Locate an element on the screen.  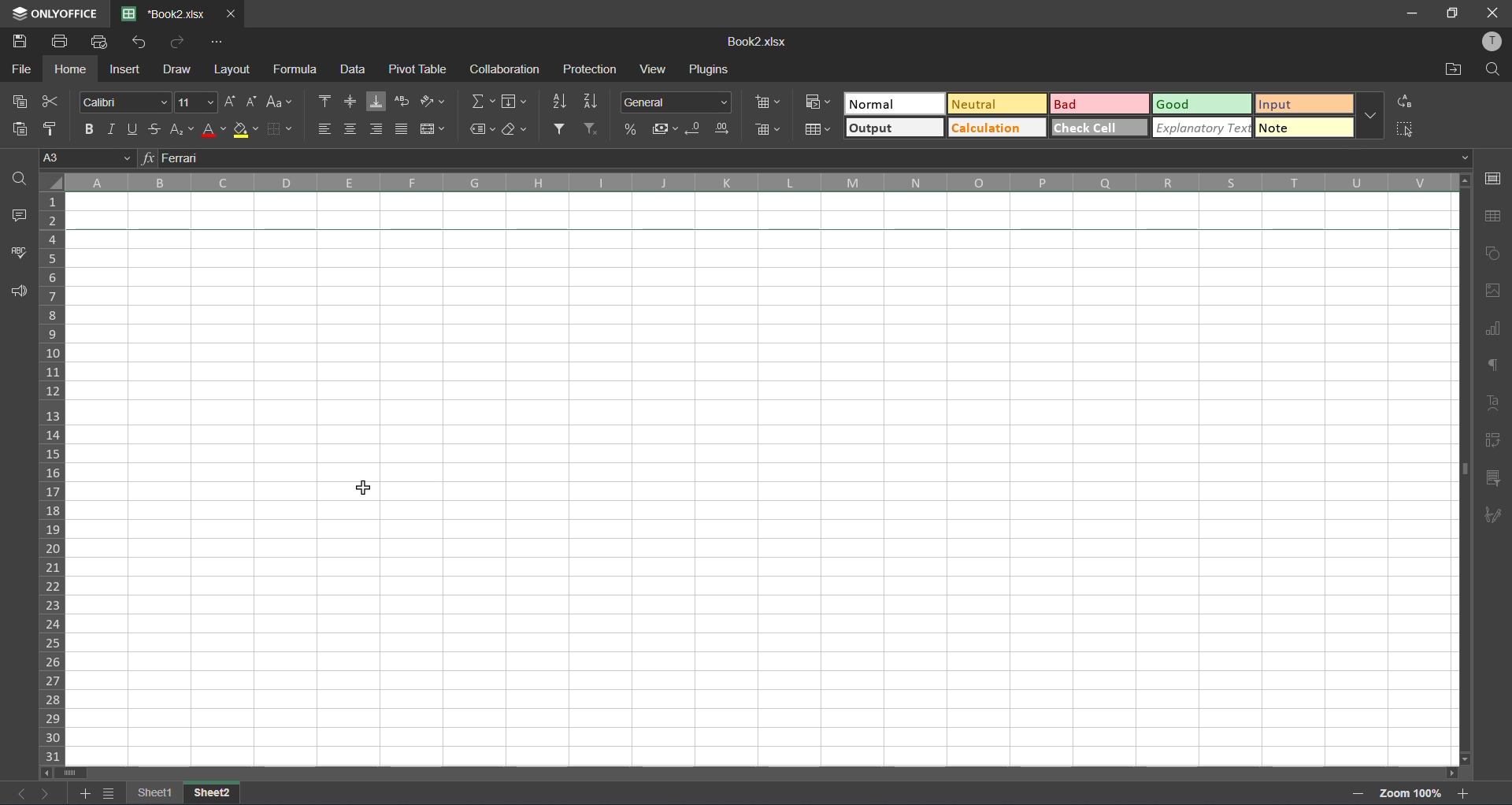
align top is located at coordinates (321, 102).